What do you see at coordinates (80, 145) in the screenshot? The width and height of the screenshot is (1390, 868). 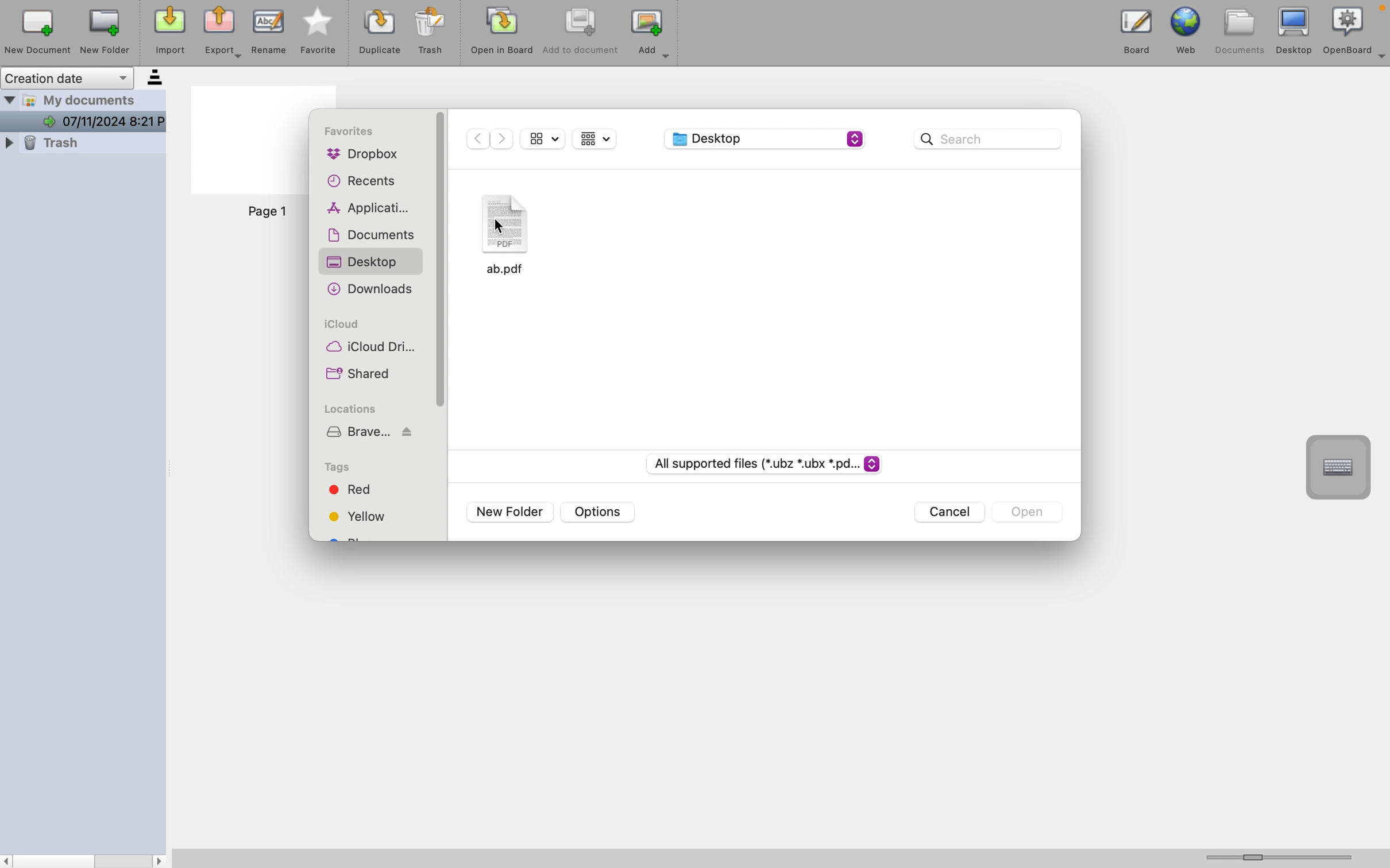 I see `trsh` at bounding box center [80, 145].